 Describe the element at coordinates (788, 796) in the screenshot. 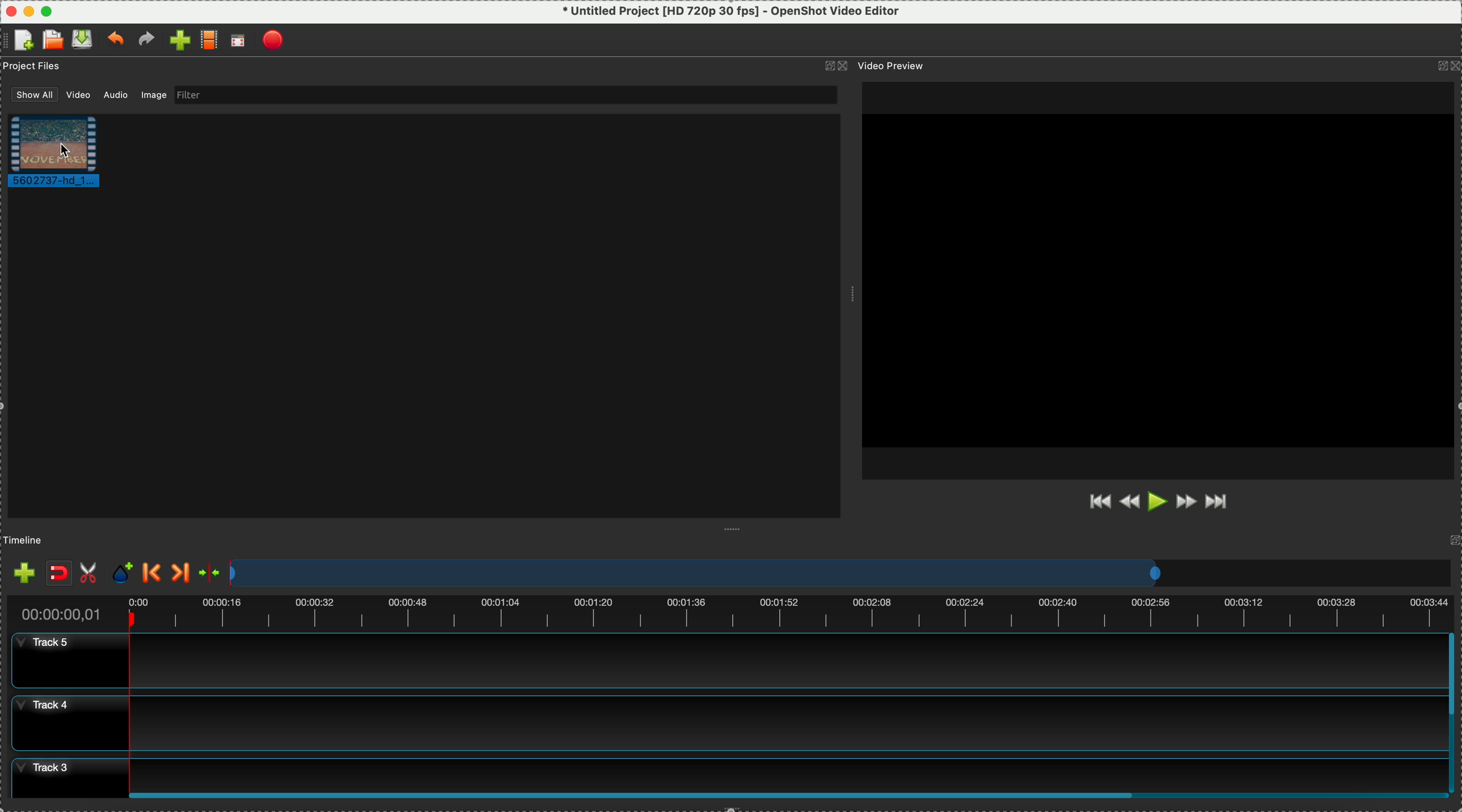

I see `Horizontal scroll bar` at that location.